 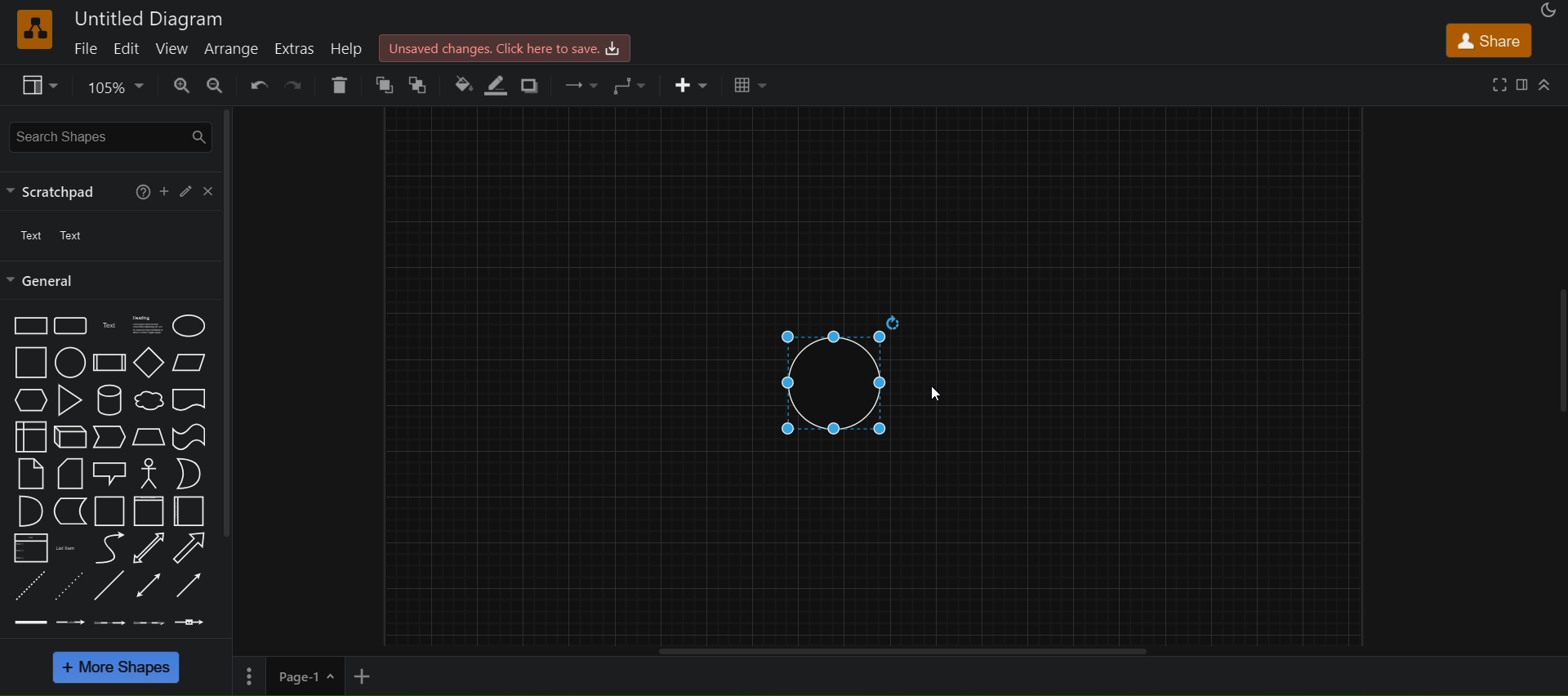 What do you see at coordinates (190, 365) in the screenshot?
I see `parallelogram` at bounding box center [190, 365].